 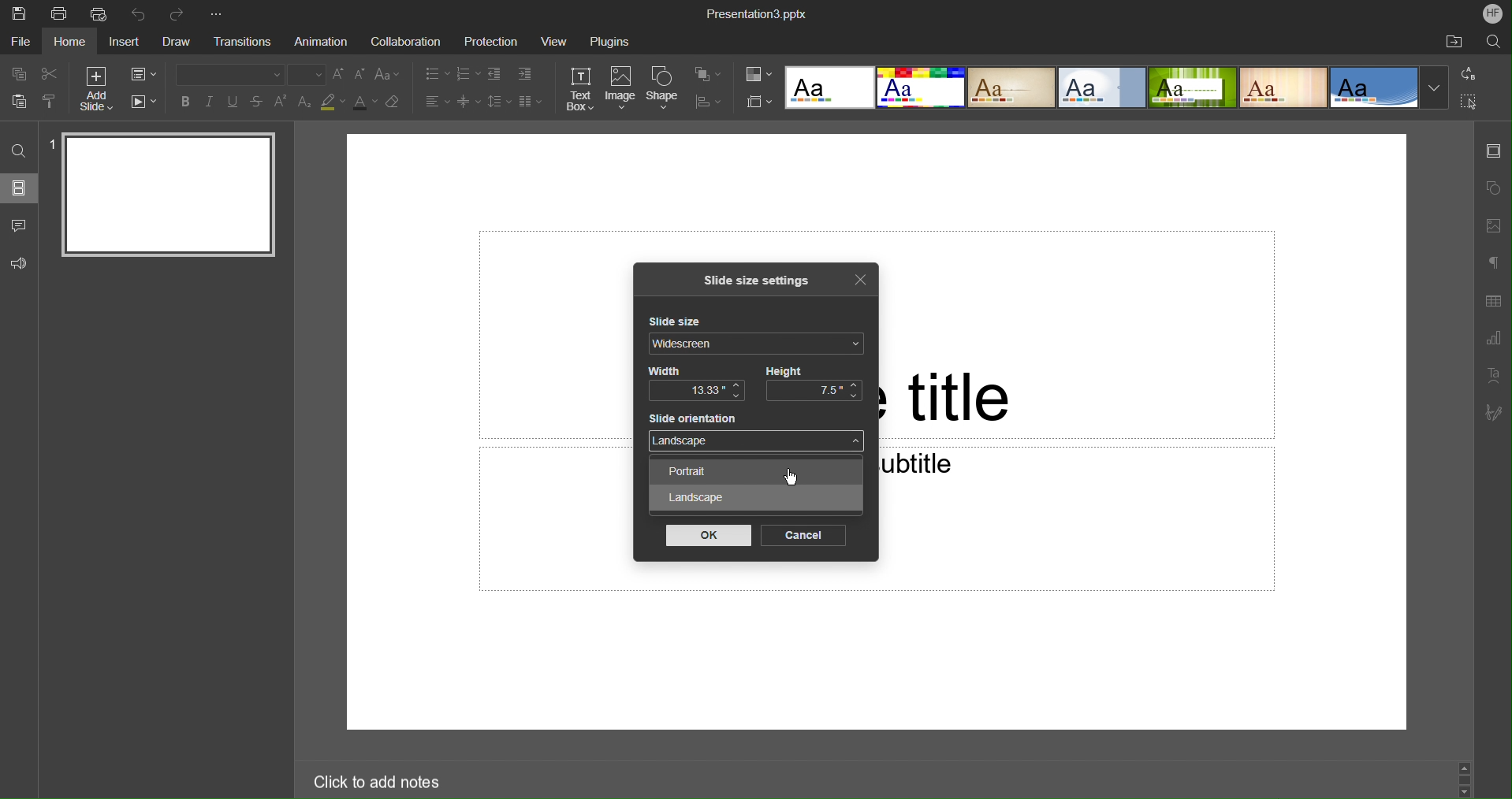 I want to click on Text Case, so click(x=389, y=75).